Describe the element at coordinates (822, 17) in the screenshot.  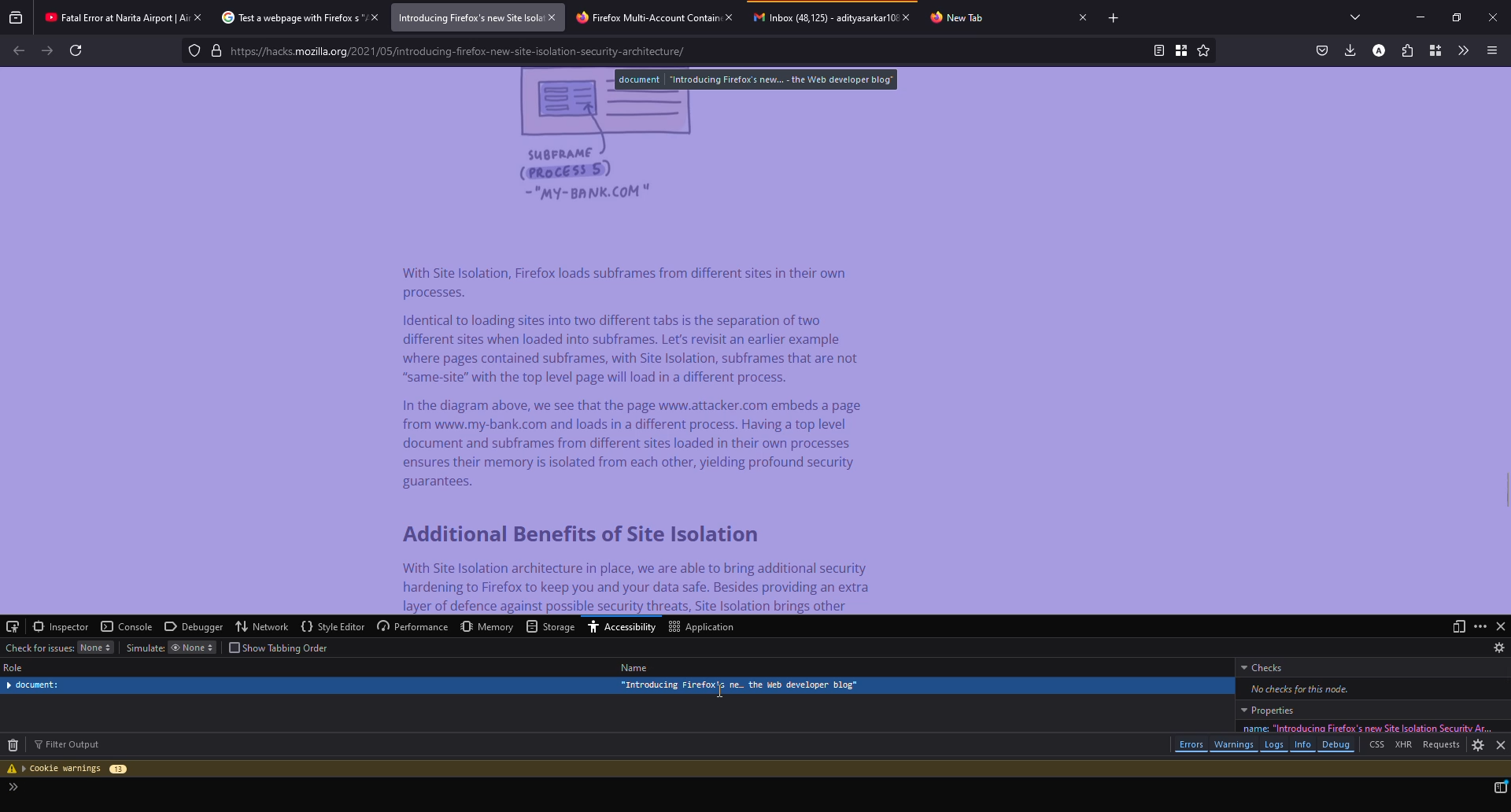
I see `Inbox (48,125) - adityasarkar1` at that location.